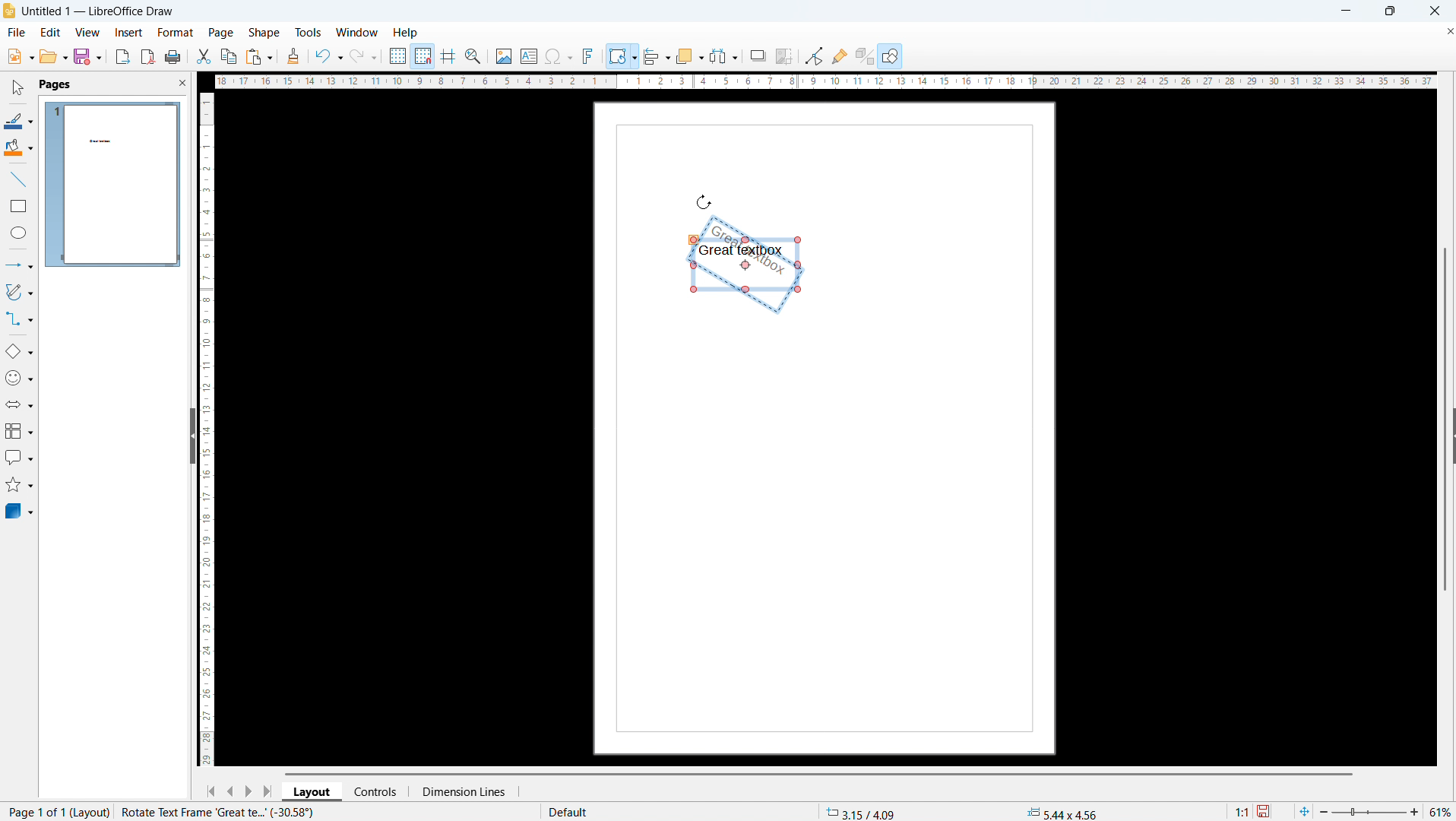 Image resolution: width=1456 pixels, height=821 pixels. What do you see at coordinates (18, 148) in the screenshot?
I see `background color` at bounding box center [18, 148].